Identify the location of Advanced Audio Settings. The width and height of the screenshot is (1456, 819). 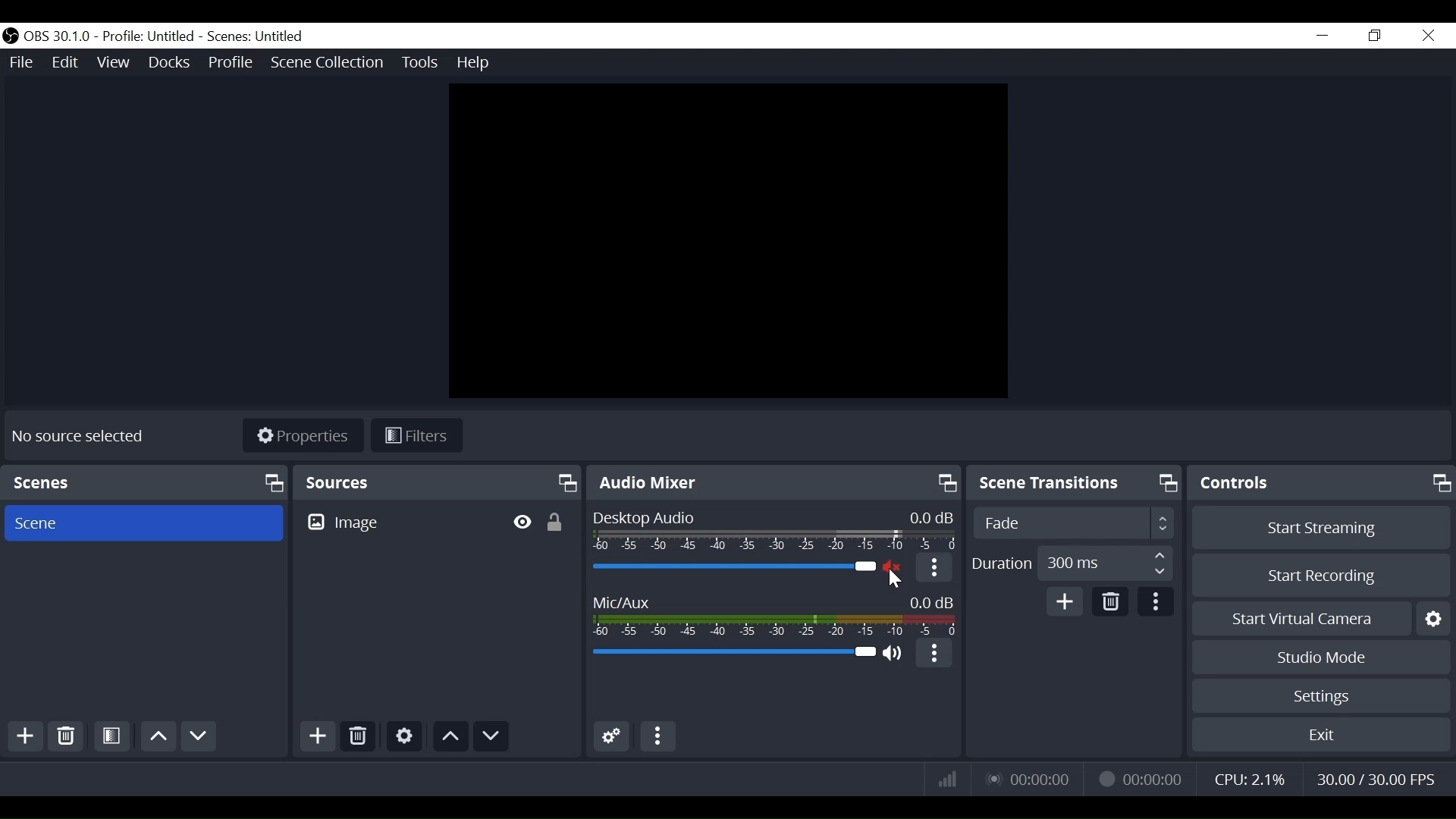
(611, 737).